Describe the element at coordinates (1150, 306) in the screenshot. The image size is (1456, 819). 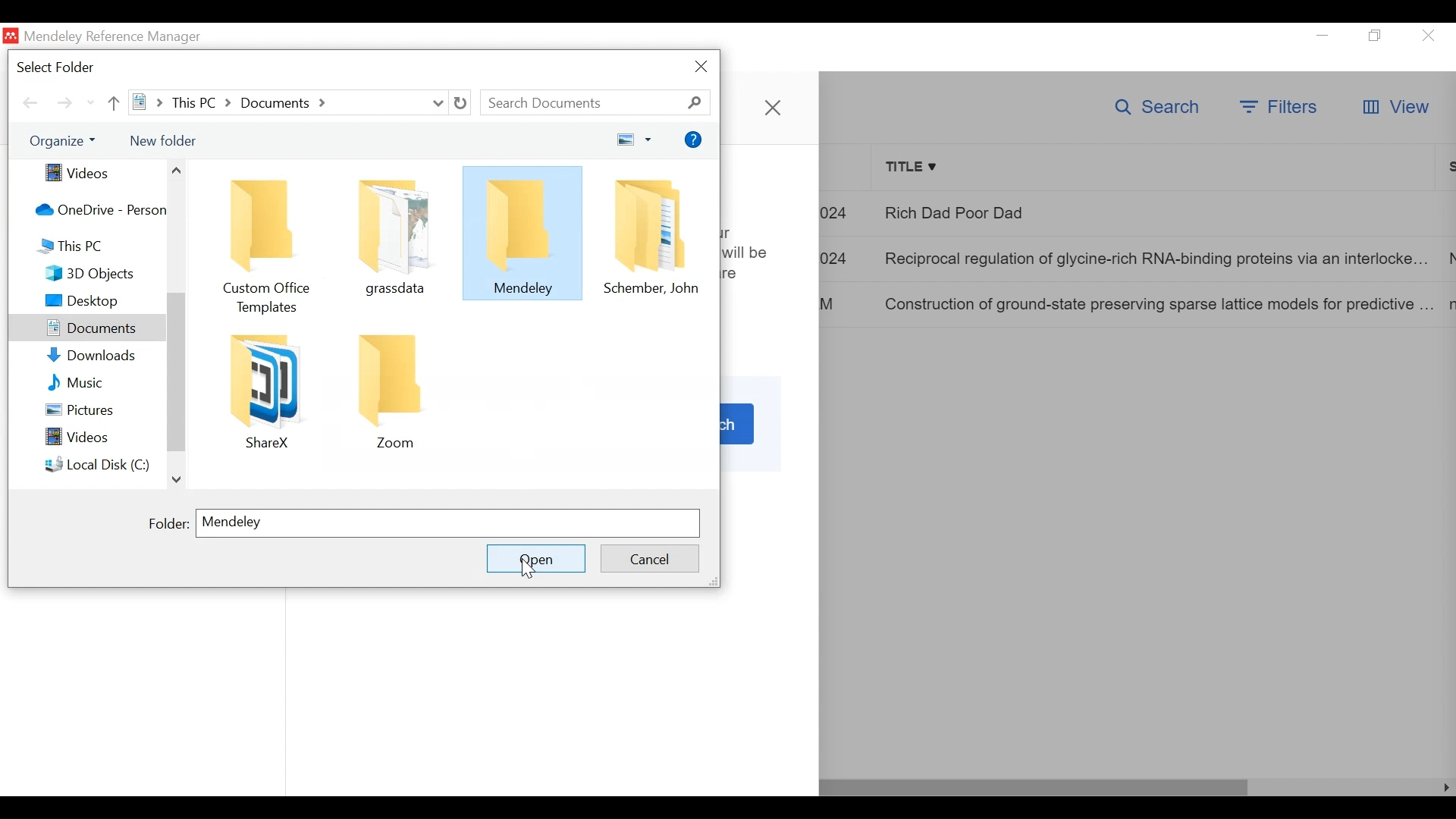
I see `Construction of ground-state preserving sparse lattice models for predictive ...` at that location.